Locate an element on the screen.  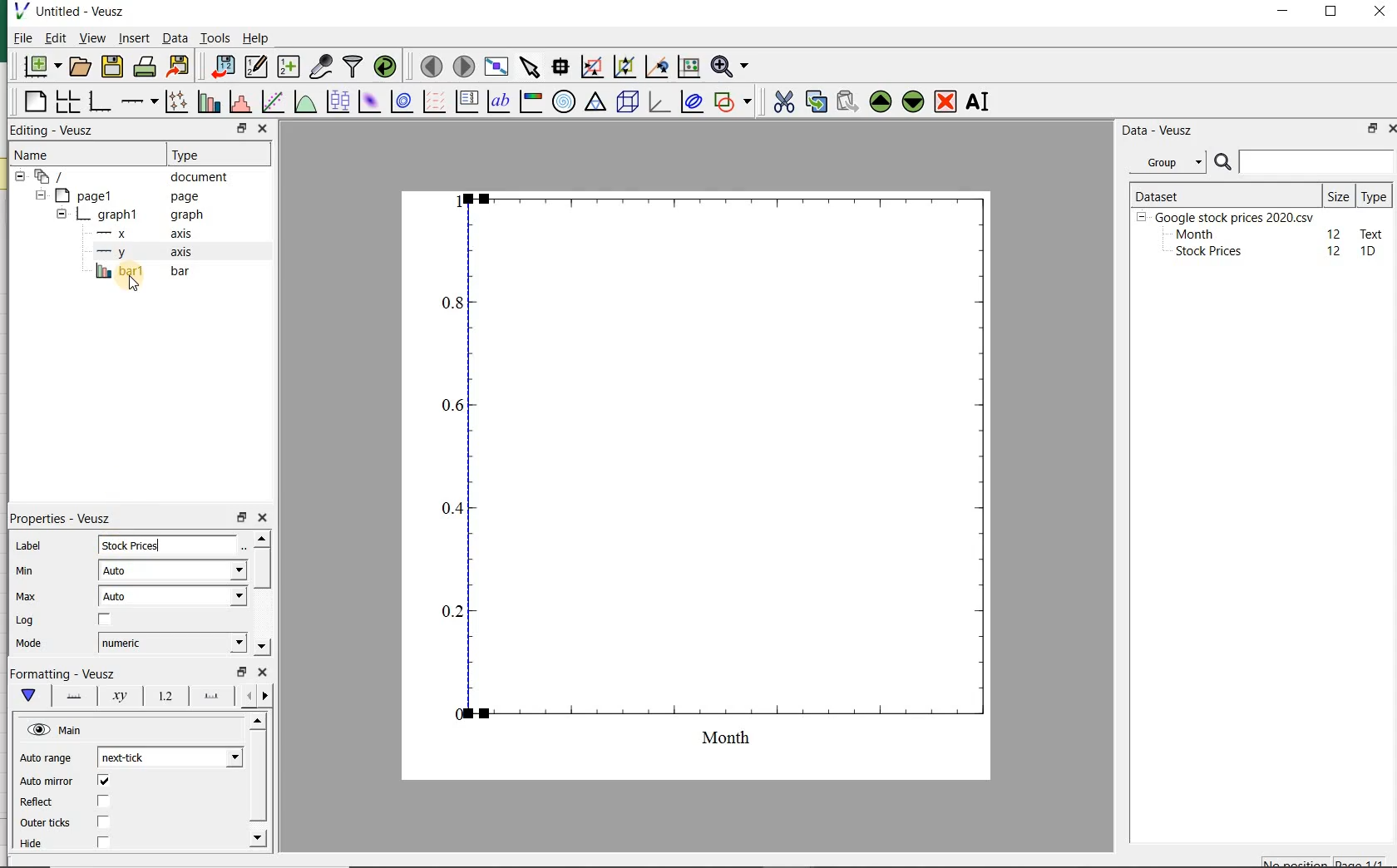
Mode is located at coordinates (26, 644).